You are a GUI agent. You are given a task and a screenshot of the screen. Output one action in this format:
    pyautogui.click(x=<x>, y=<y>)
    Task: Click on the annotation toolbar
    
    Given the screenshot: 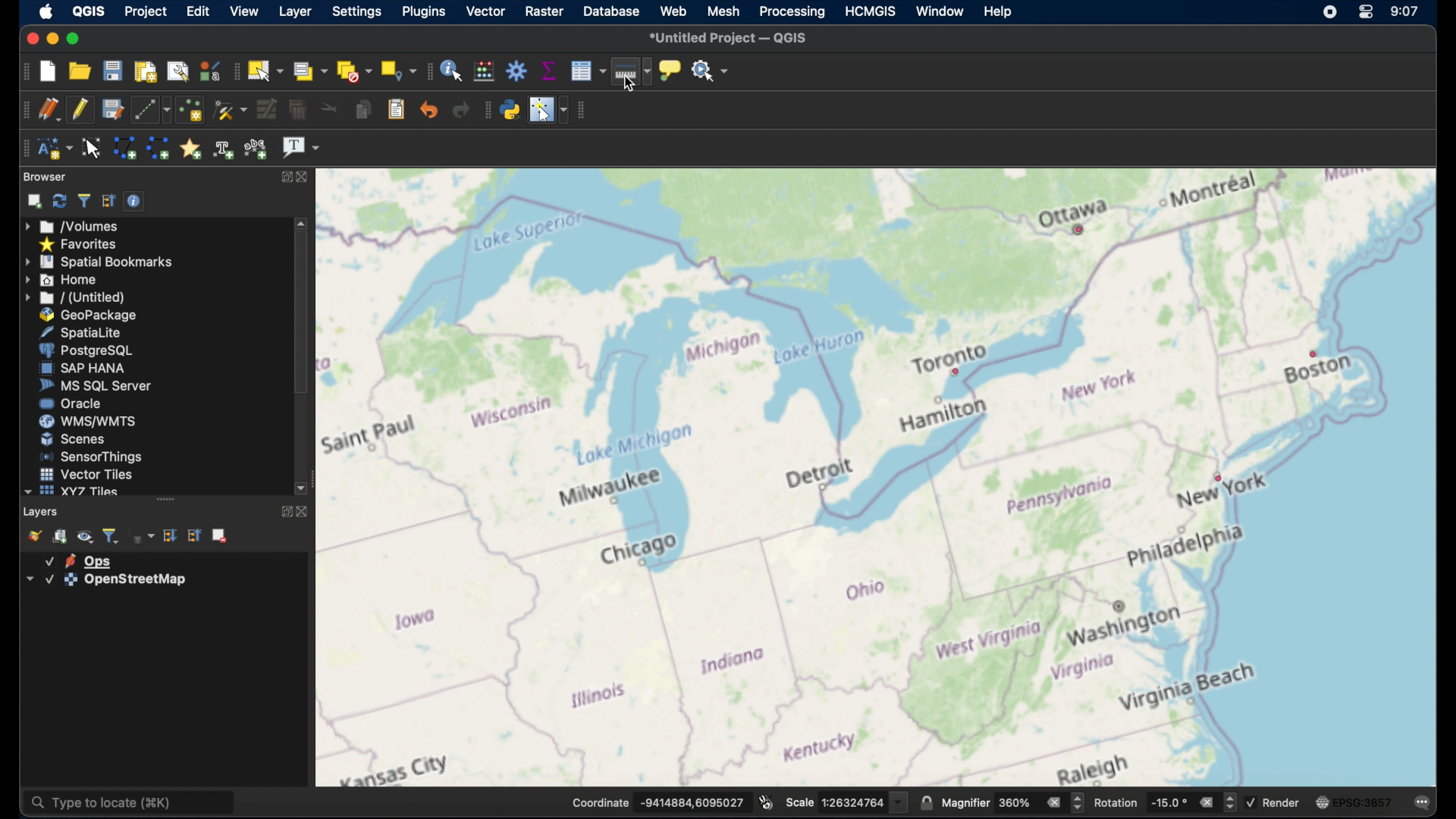 What is the action you would take?
    pyautogui.click(x=25, y=149)
    